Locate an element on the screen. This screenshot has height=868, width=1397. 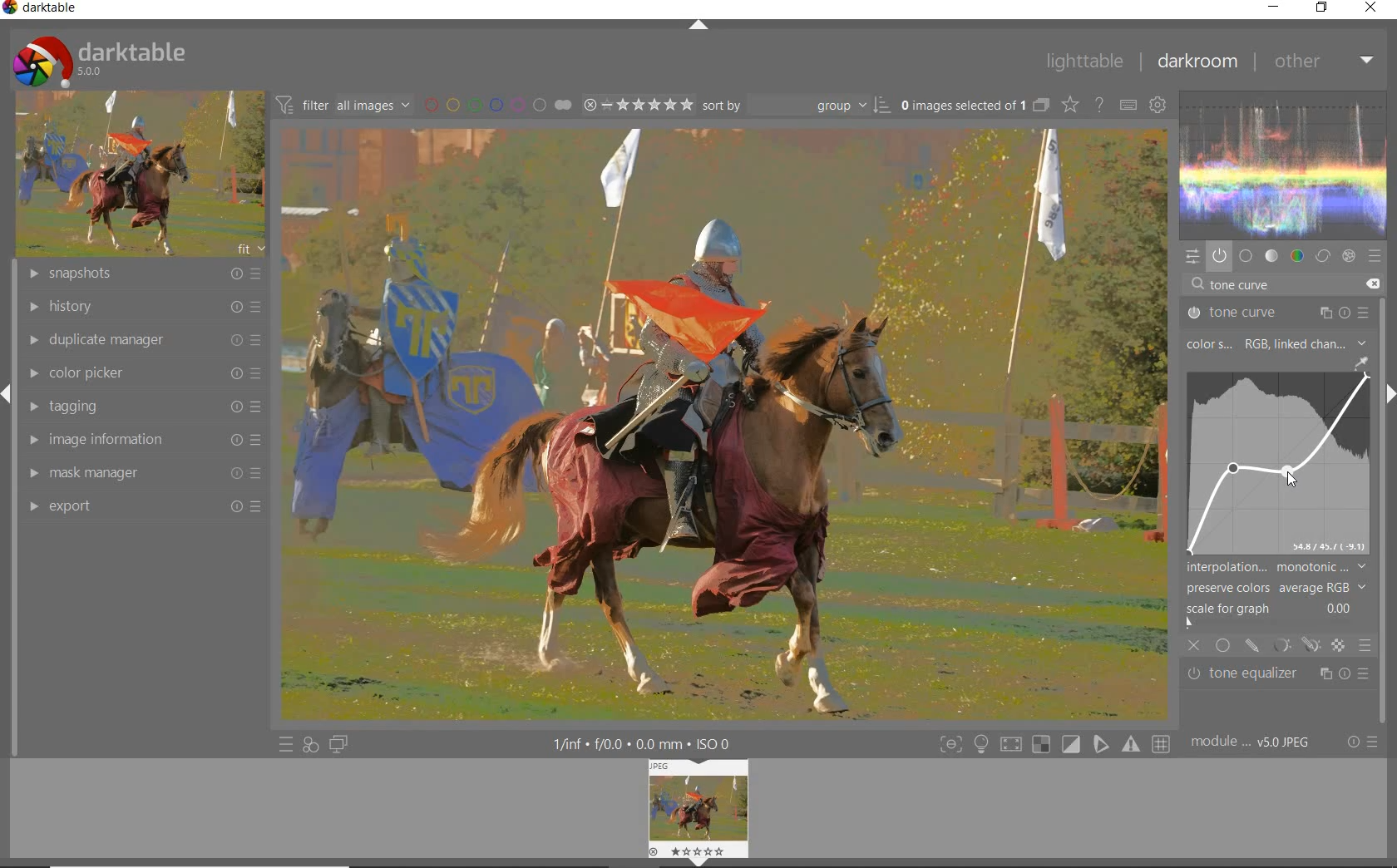
selected Image range rating is located at coordinates (636, 105).